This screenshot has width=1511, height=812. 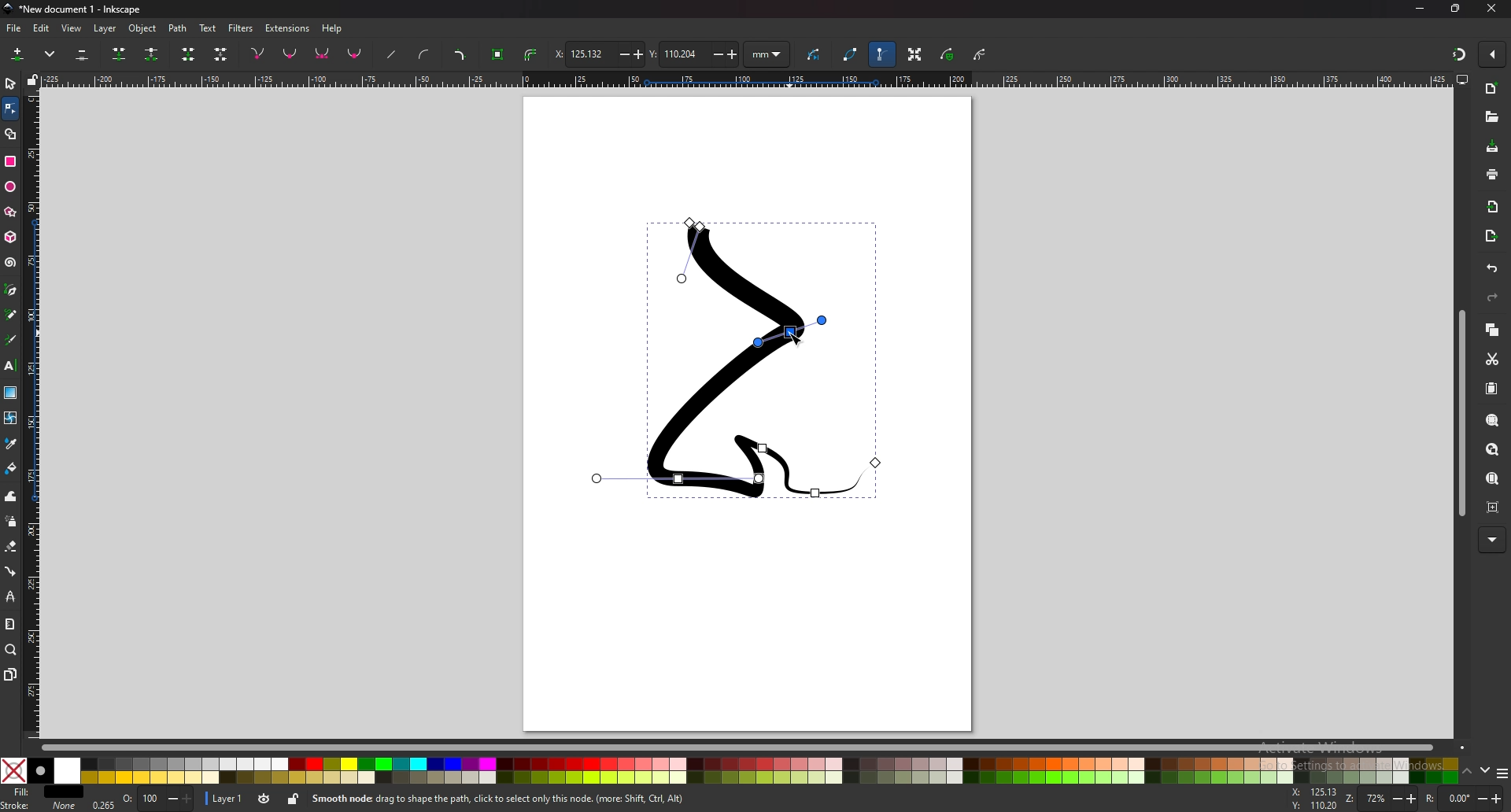 What do you see at coordinates (1465, 798) in the screenshot?
I see `rotation` at bounding box center [1465, 798].